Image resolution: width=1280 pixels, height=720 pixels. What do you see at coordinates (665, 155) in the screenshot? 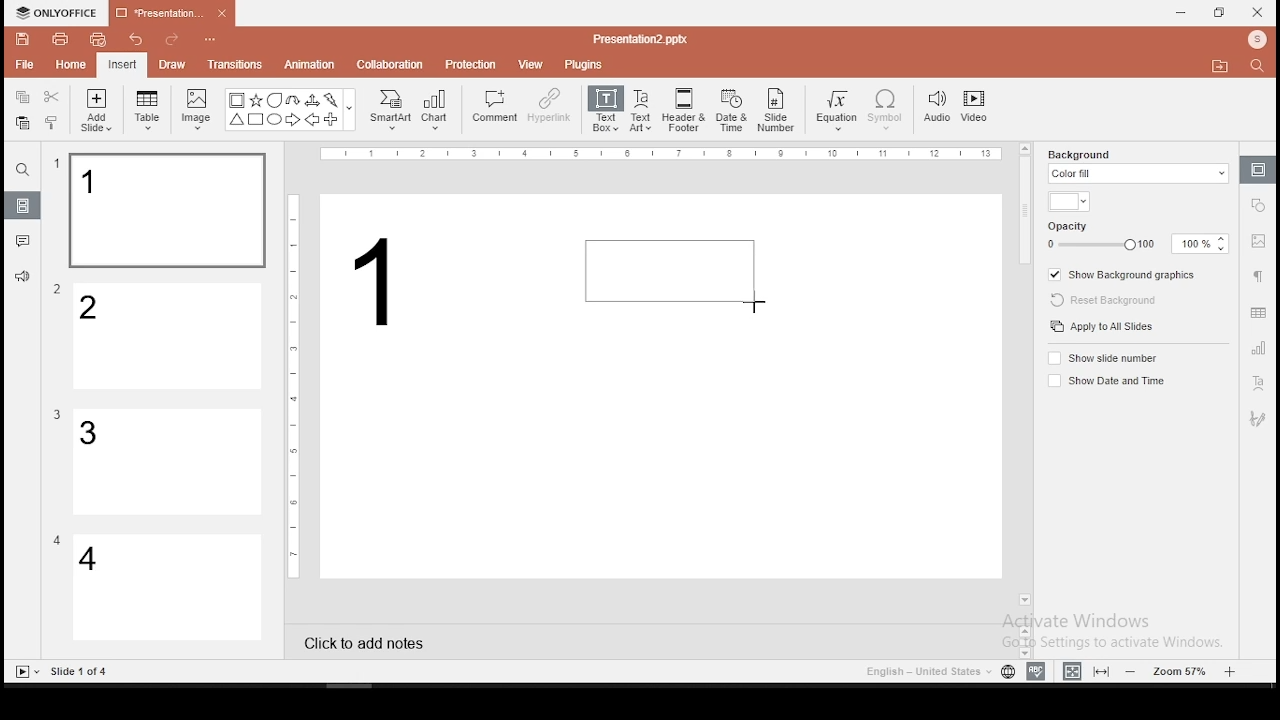
I see `` at bounding box center [665, 155].